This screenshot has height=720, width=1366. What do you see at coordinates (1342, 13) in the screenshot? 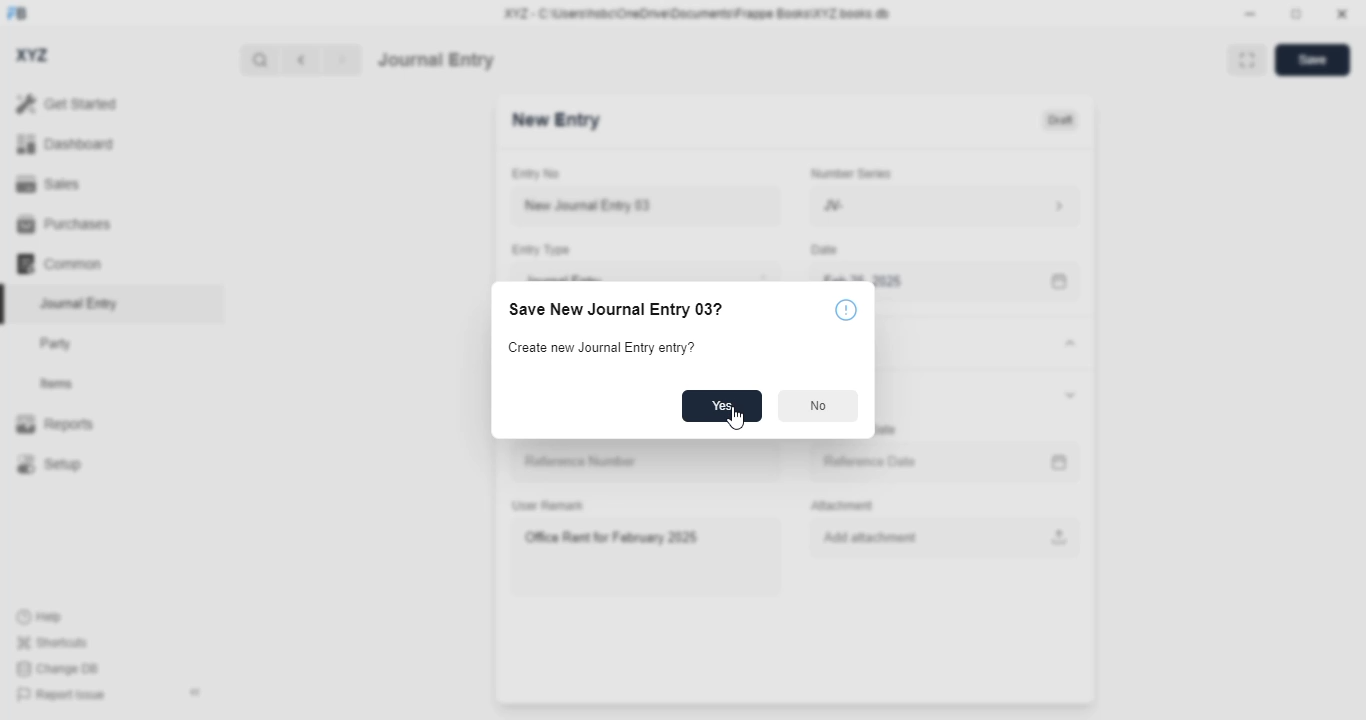
I see `close` at bounding box center [1342, 13].